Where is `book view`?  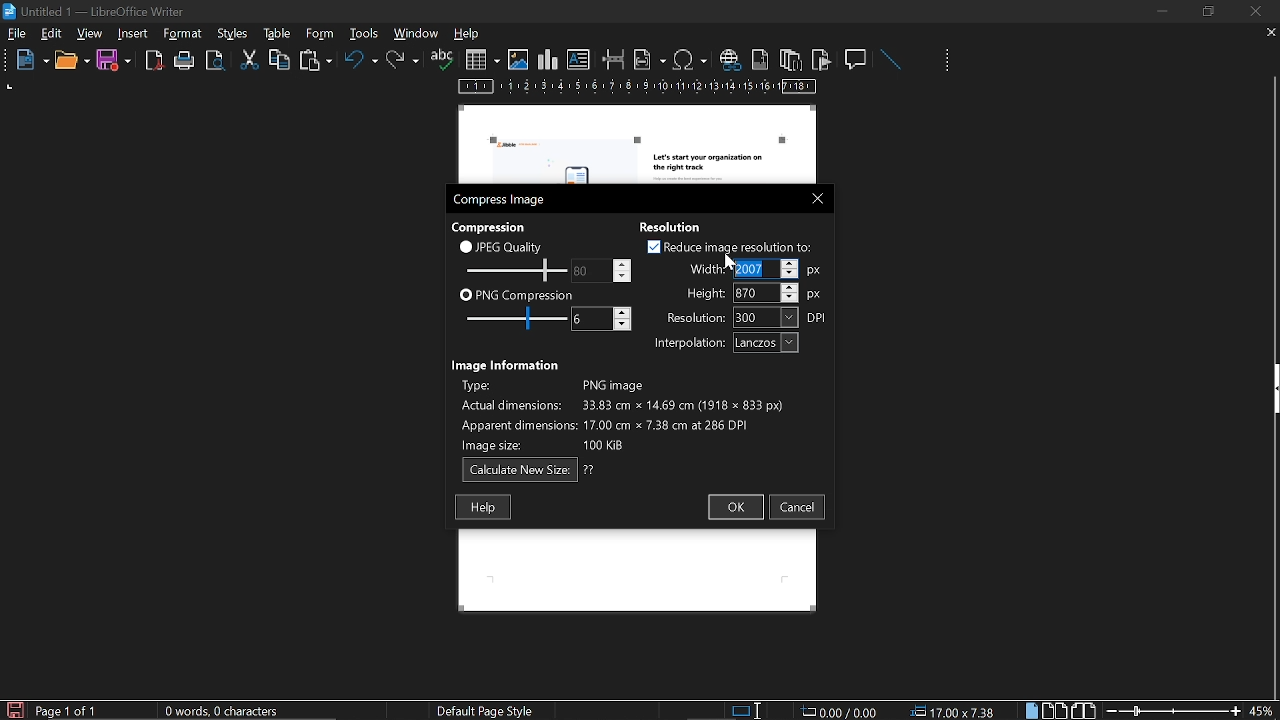 book view is located at coordinates (1082, 709).